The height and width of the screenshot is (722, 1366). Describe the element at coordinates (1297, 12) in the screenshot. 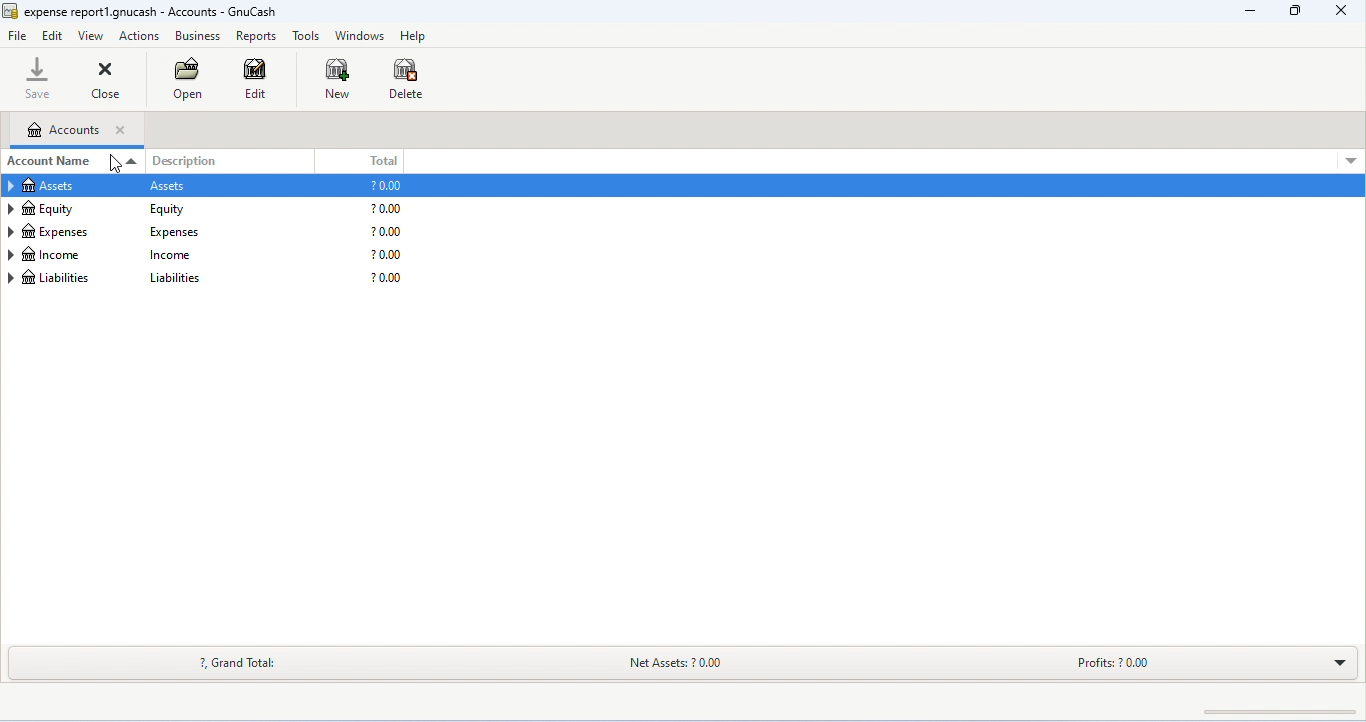

I see `minimize/maximize` at that location.